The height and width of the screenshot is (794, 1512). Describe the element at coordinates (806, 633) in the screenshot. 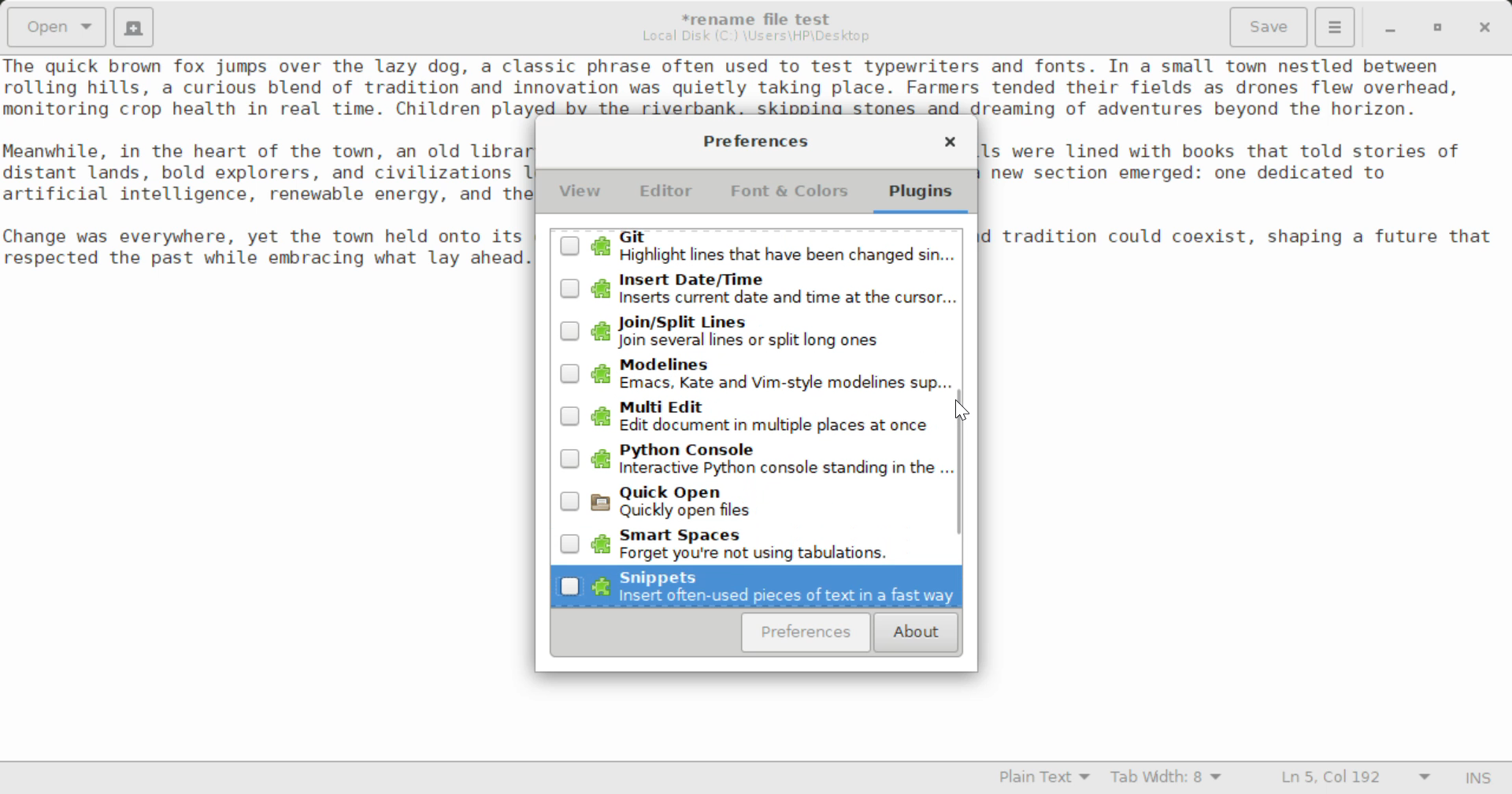

I see `Preferences` at that location.